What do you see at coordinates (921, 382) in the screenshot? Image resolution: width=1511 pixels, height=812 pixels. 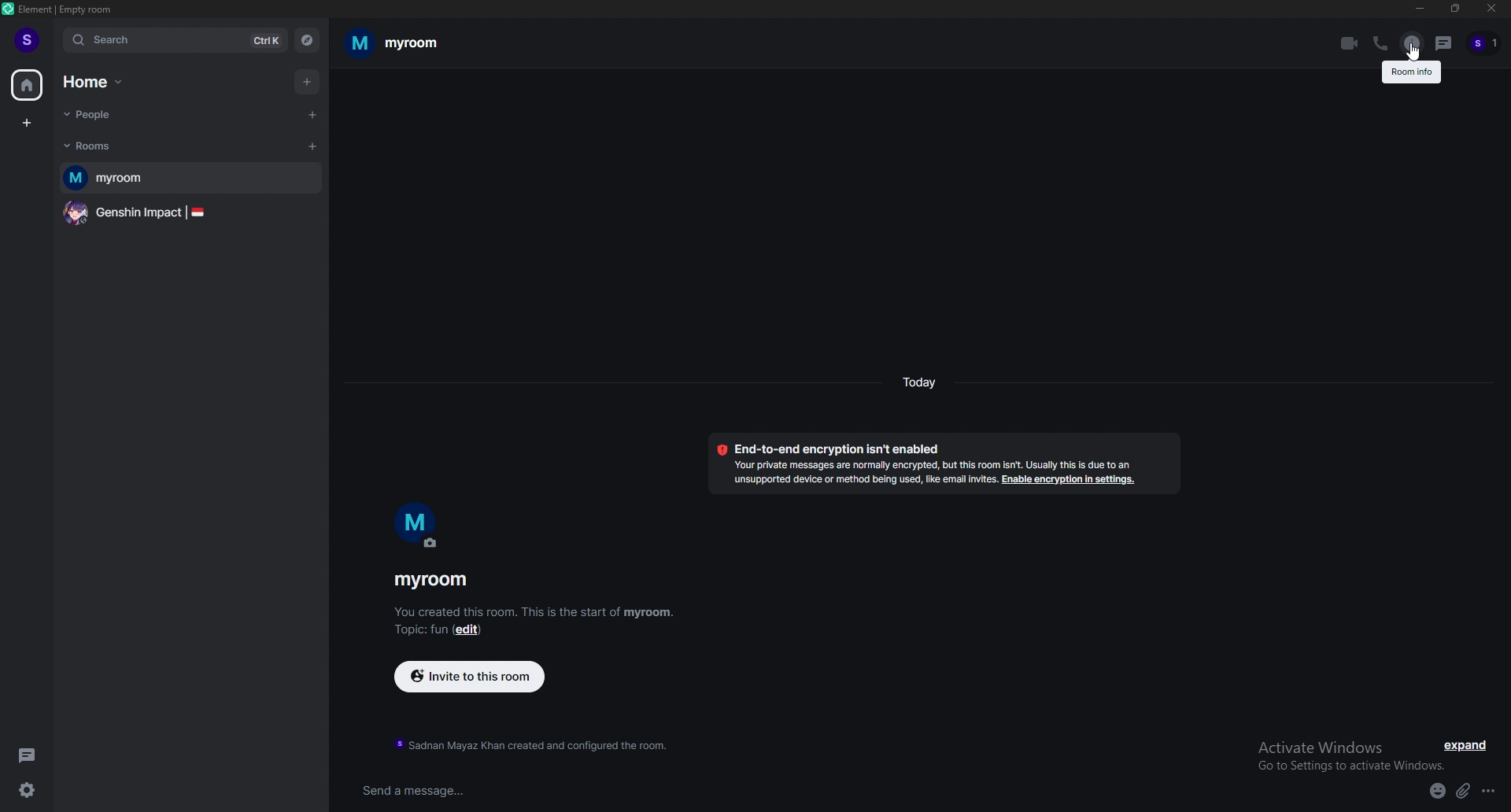 I see `today` at bounding box center [921, 382].